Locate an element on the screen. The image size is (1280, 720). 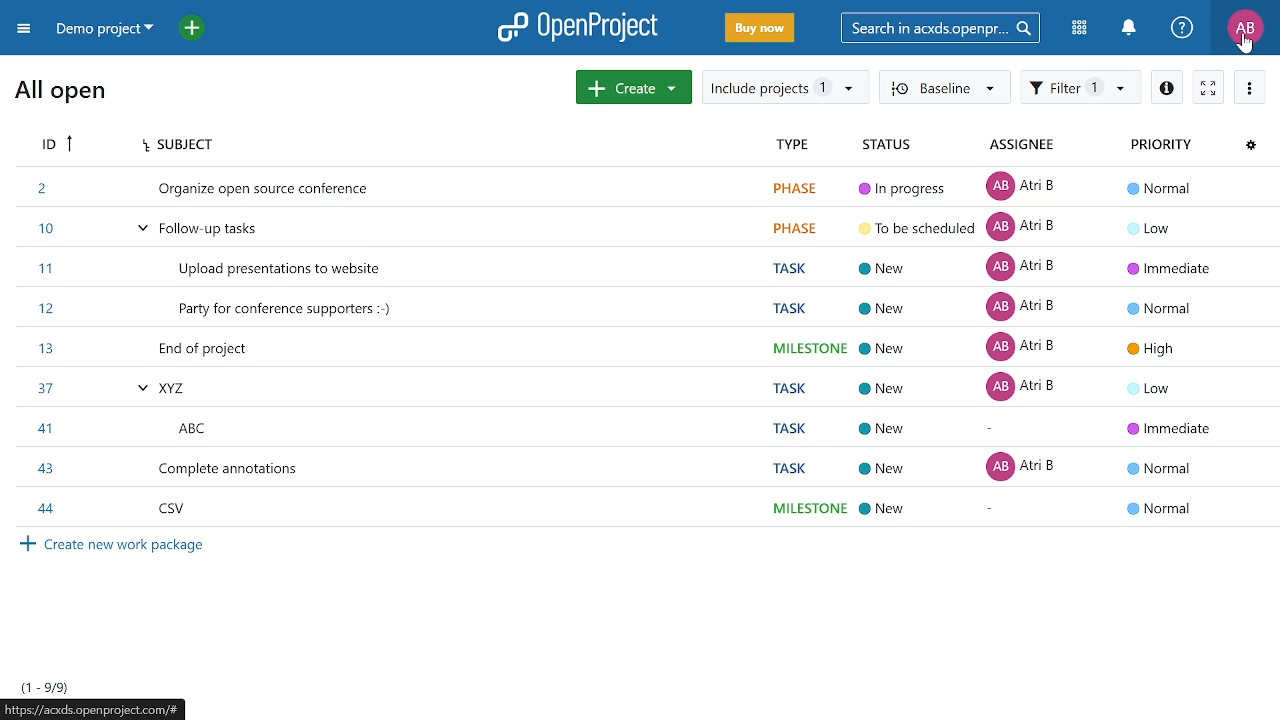
task subjects is located at coordinates (273, 349).